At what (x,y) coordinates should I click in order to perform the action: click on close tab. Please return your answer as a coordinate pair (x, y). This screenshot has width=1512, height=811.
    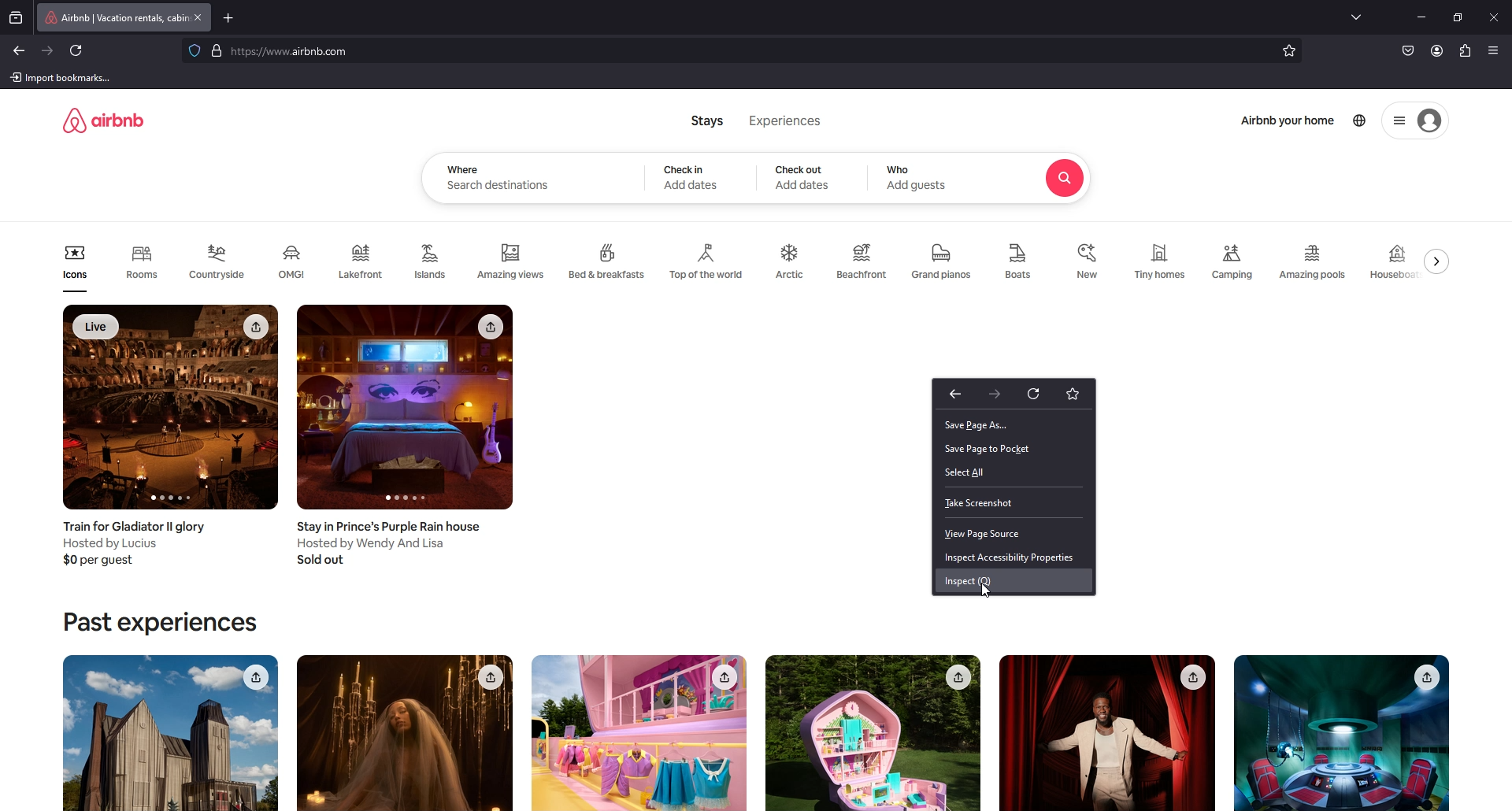
    Looking at the image, I should click on (198, 17).